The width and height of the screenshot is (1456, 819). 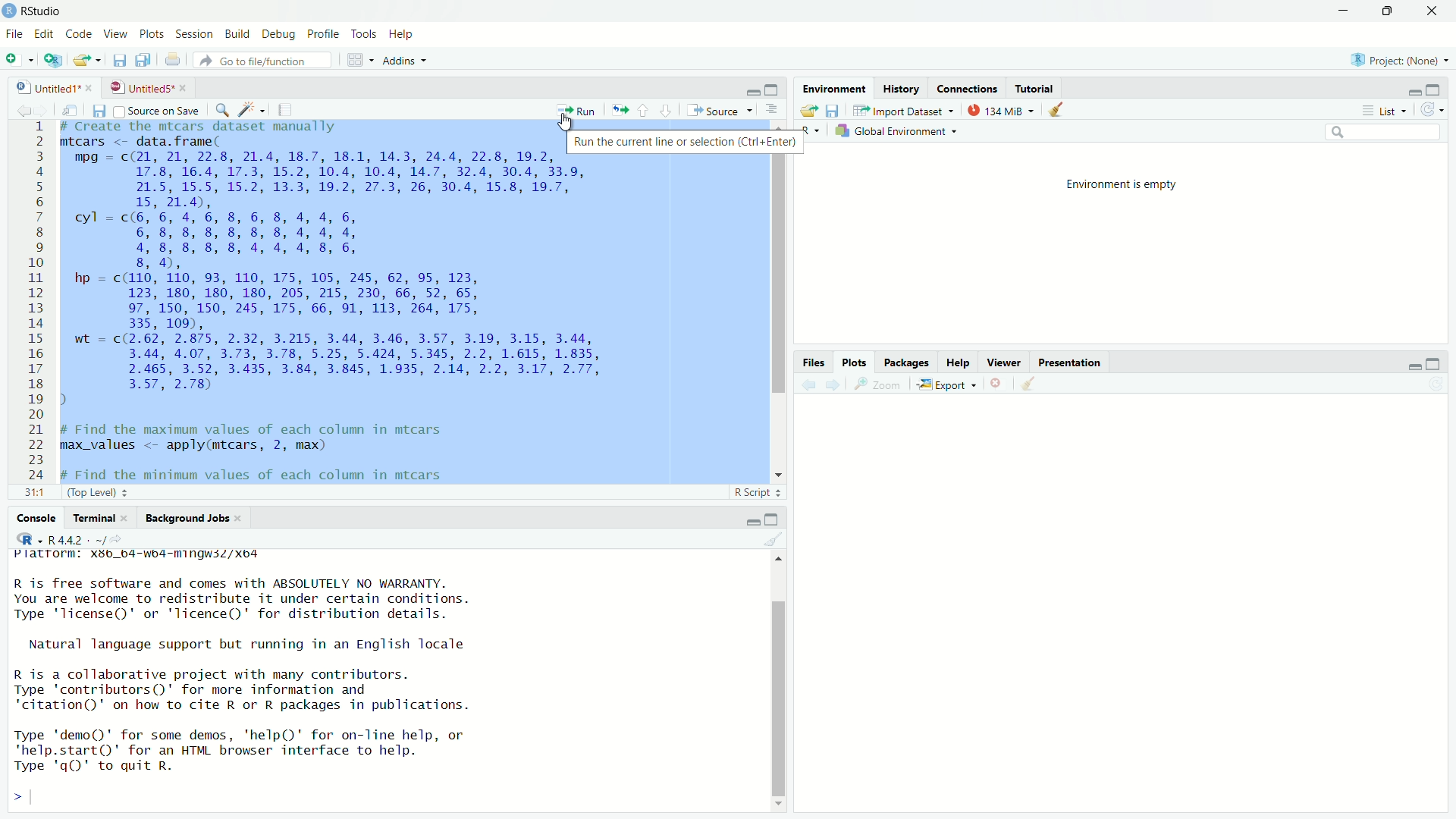 I want to click on File, so click(x=15, y=34).